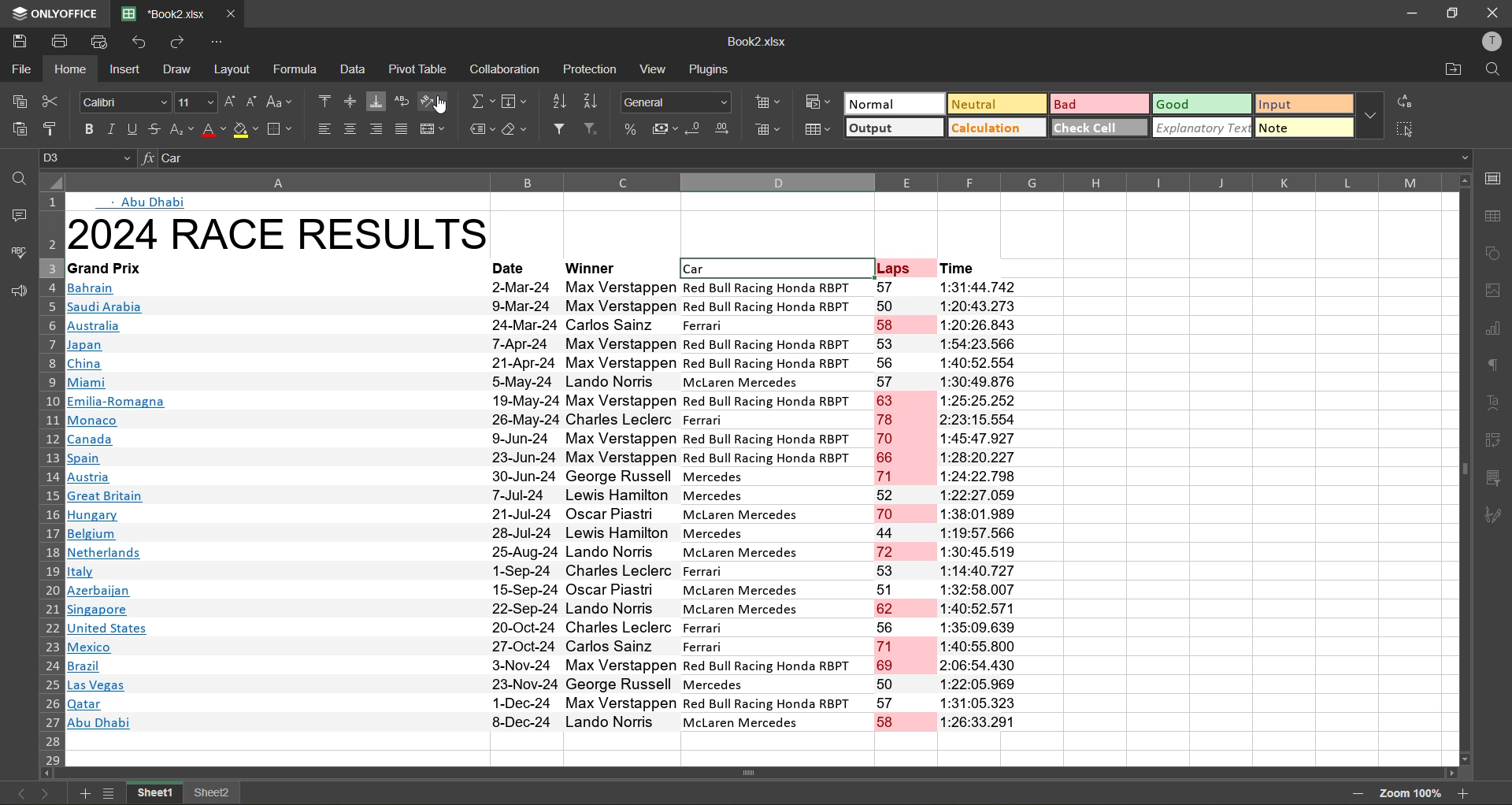  I want to click on column names , so click(756, 181).